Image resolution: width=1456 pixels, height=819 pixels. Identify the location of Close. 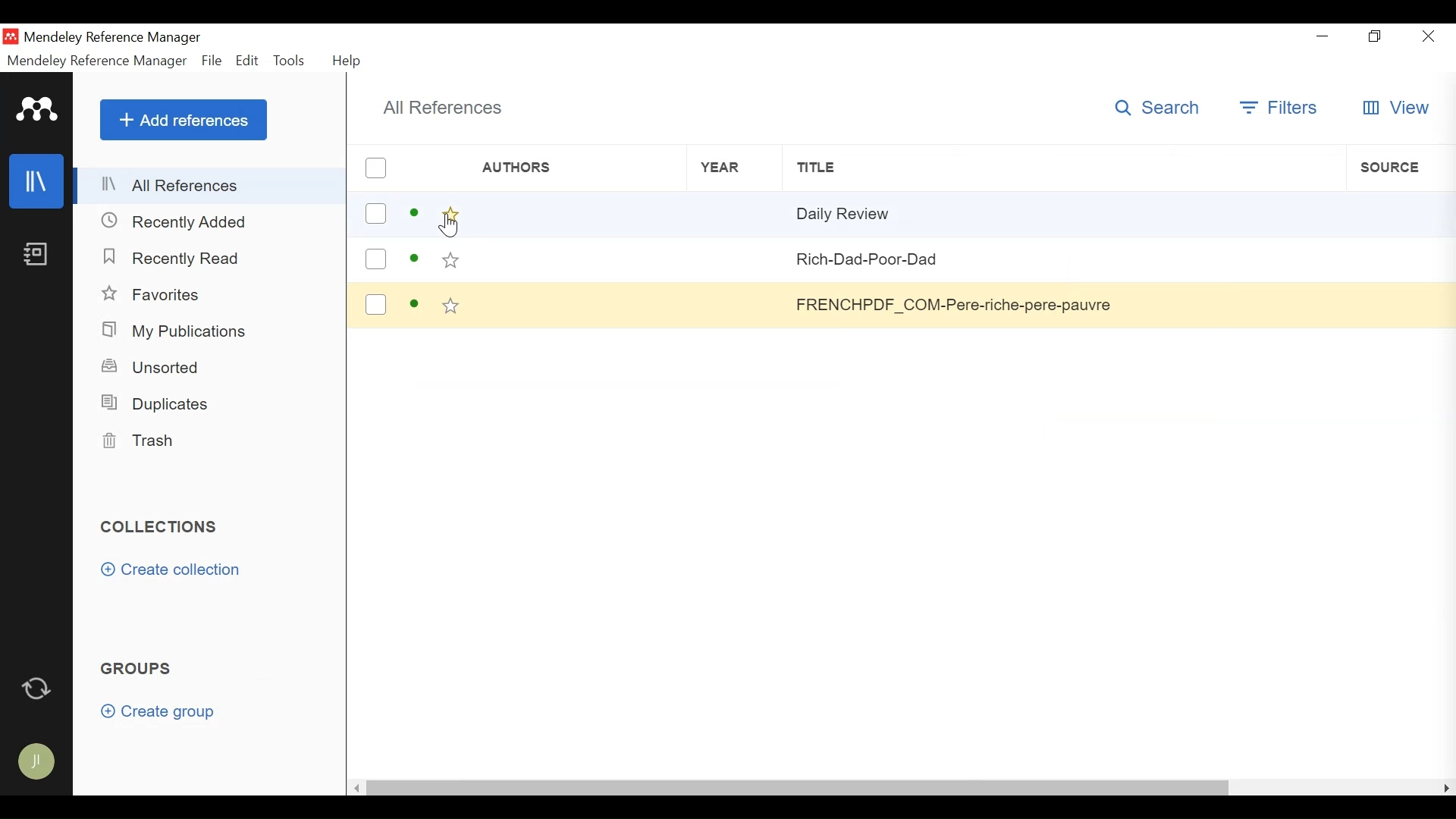
(1431, 36).